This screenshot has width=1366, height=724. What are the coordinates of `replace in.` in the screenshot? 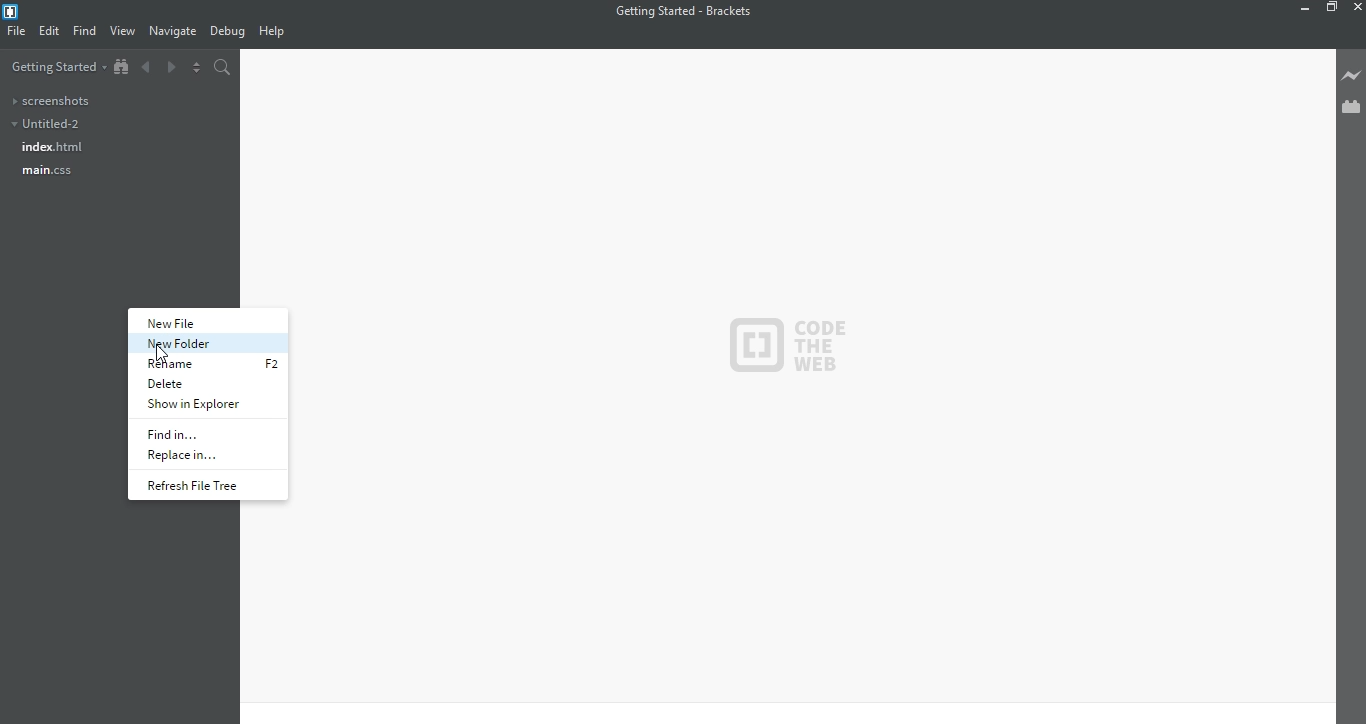 It's located at (188, 454).